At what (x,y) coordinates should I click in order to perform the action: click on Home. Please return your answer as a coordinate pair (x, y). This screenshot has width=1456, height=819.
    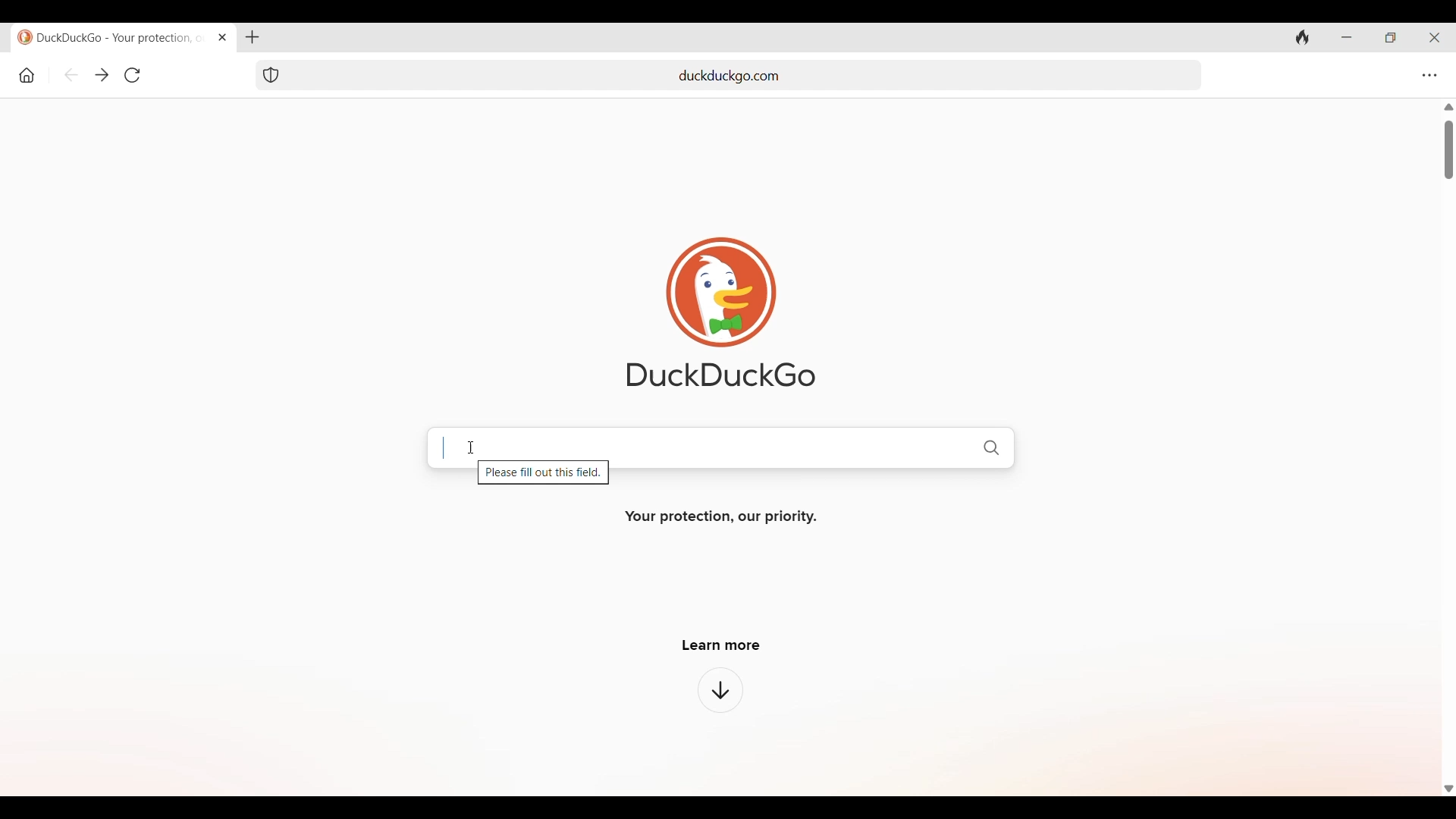
    Looking at the image, I should click on (27, 75).